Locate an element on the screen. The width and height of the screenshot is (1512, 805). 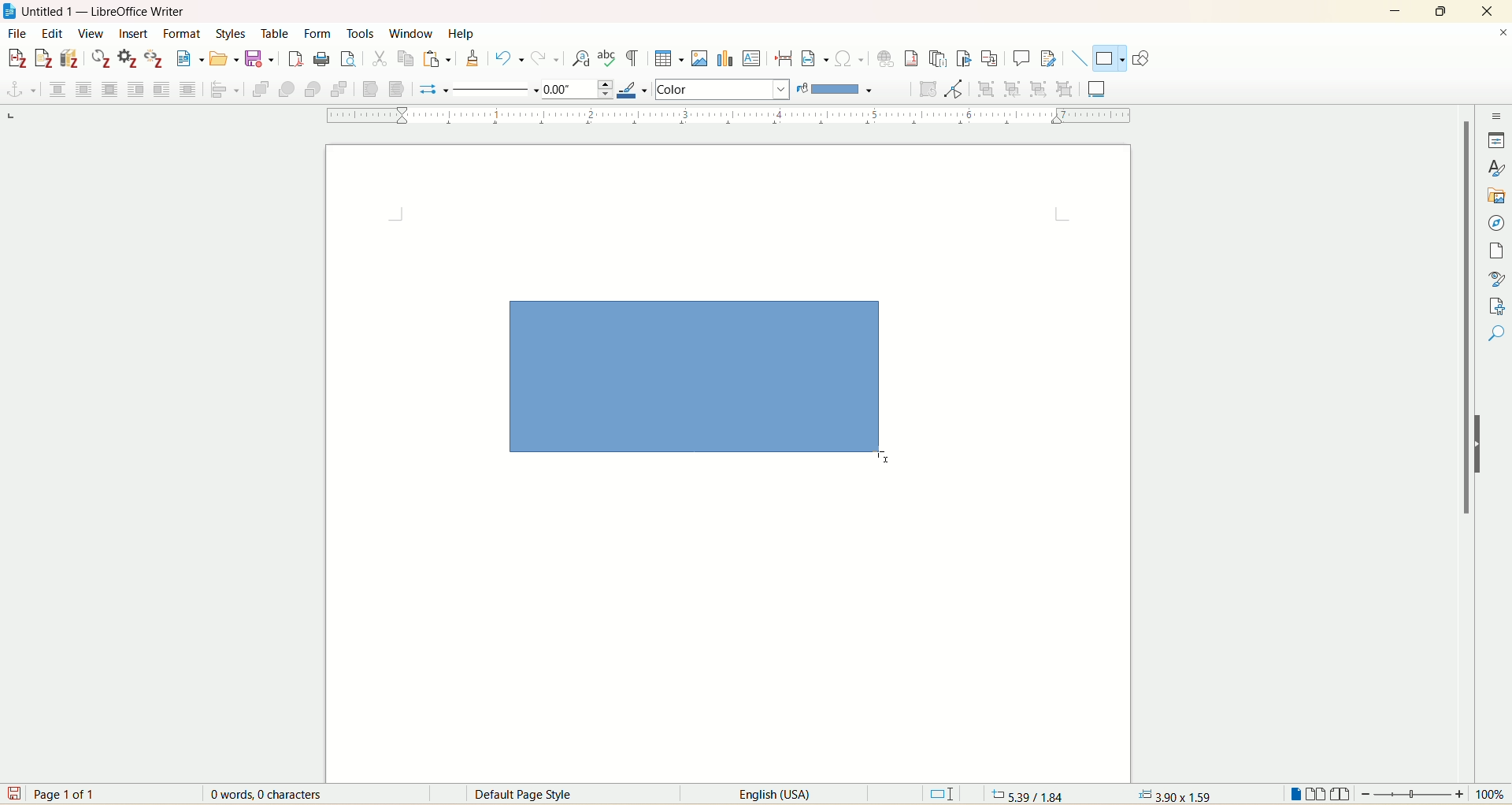
insert bookmark is located at coordinates (966, 59).